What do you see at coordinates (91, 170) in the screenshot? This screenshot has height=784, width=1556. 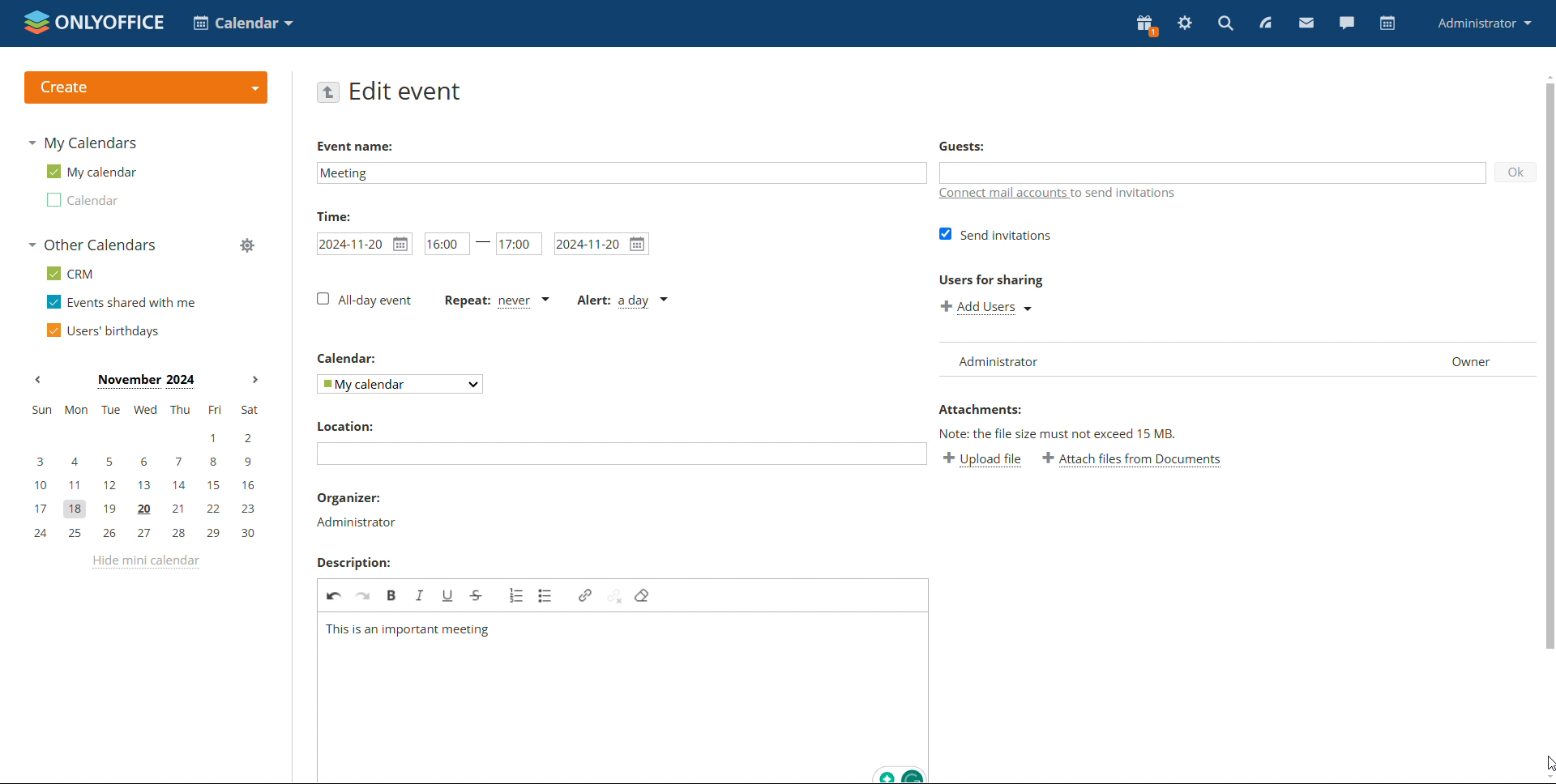 I see `my calendar` at bounding box center [91, 170].